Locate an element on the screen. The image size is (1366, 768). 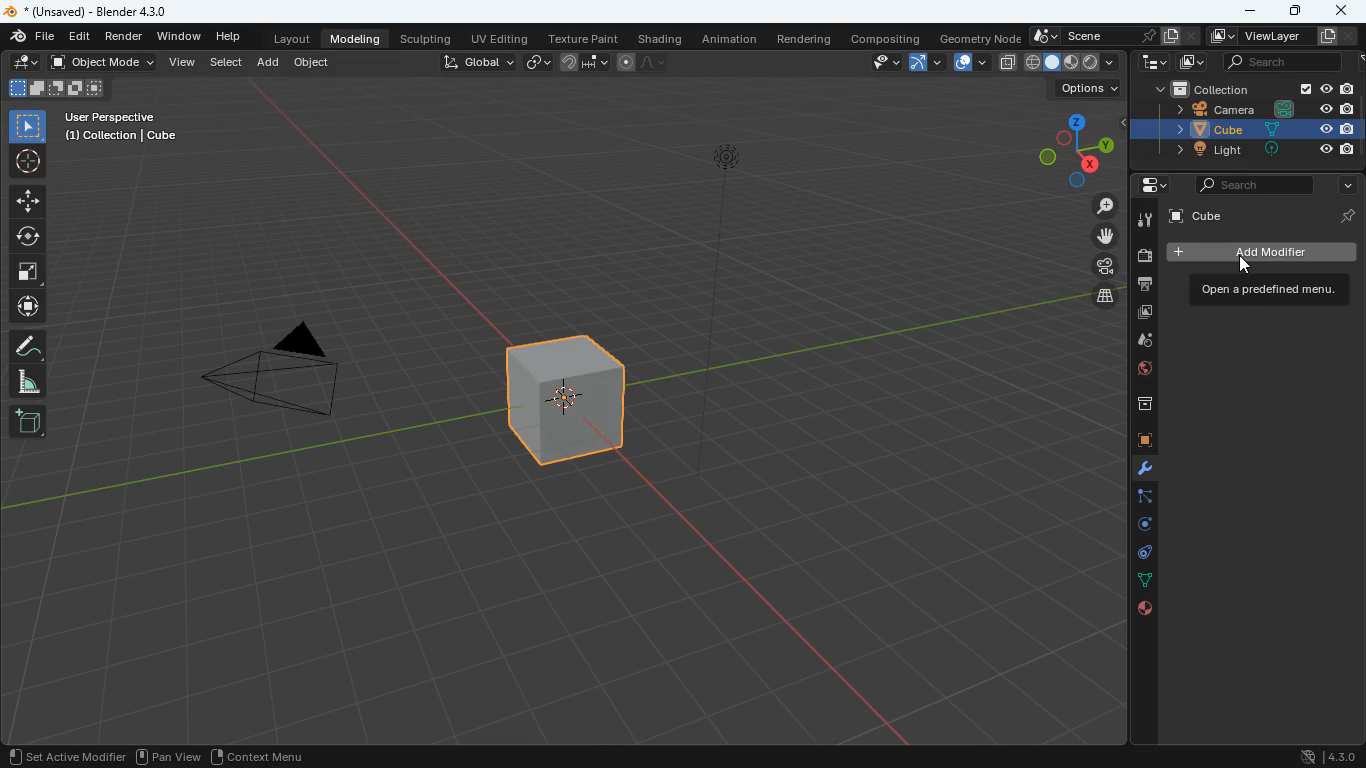
object is located at coordinates (311, 63).